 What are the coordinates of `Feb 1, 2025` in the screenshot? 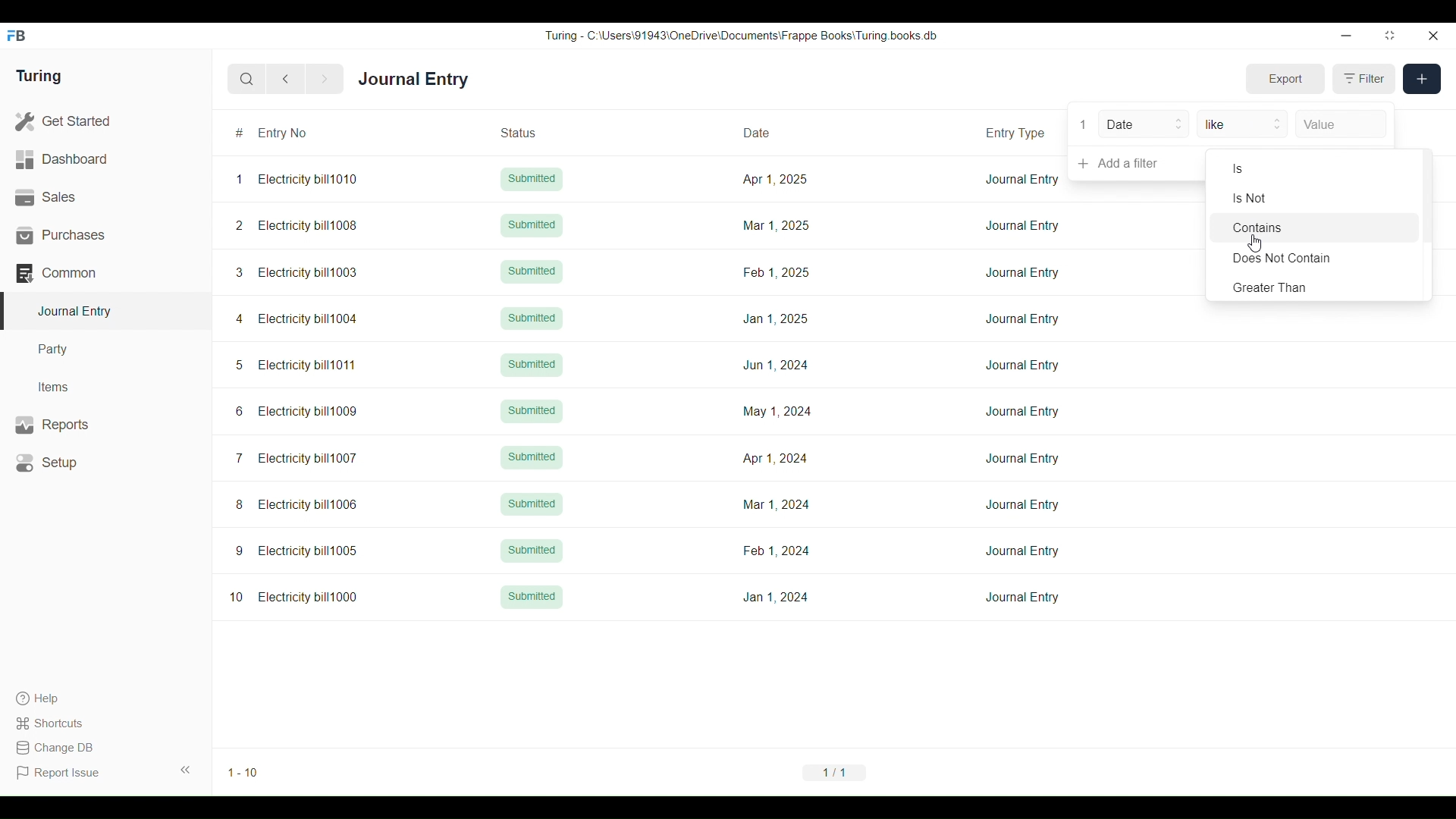 It's located at (777, 271).